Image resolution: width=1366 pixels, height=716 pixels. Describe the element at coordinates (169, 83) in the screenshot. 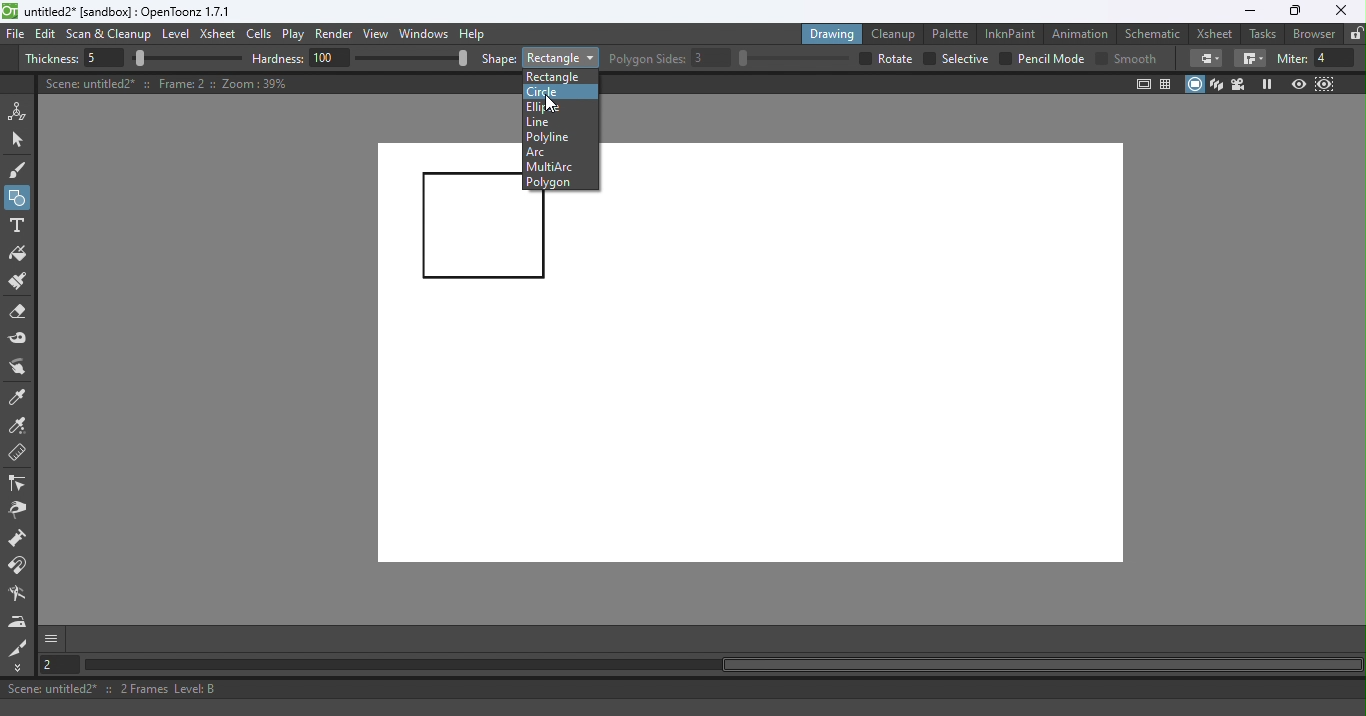

I see `Canvas details` at that location.